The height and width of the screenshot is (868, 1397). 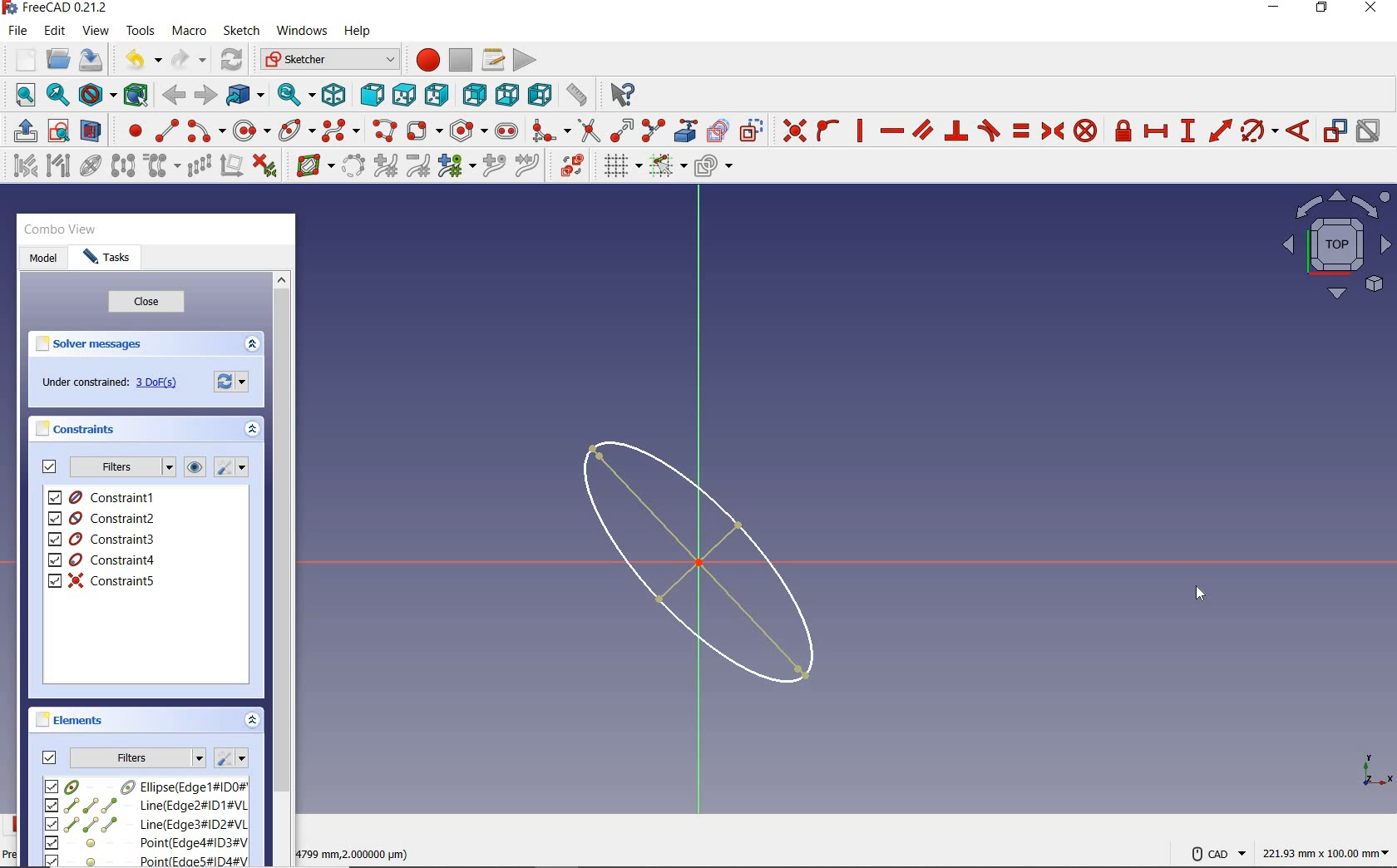 I want to click on constrain symmetrical, so click(x=1051, y=131).